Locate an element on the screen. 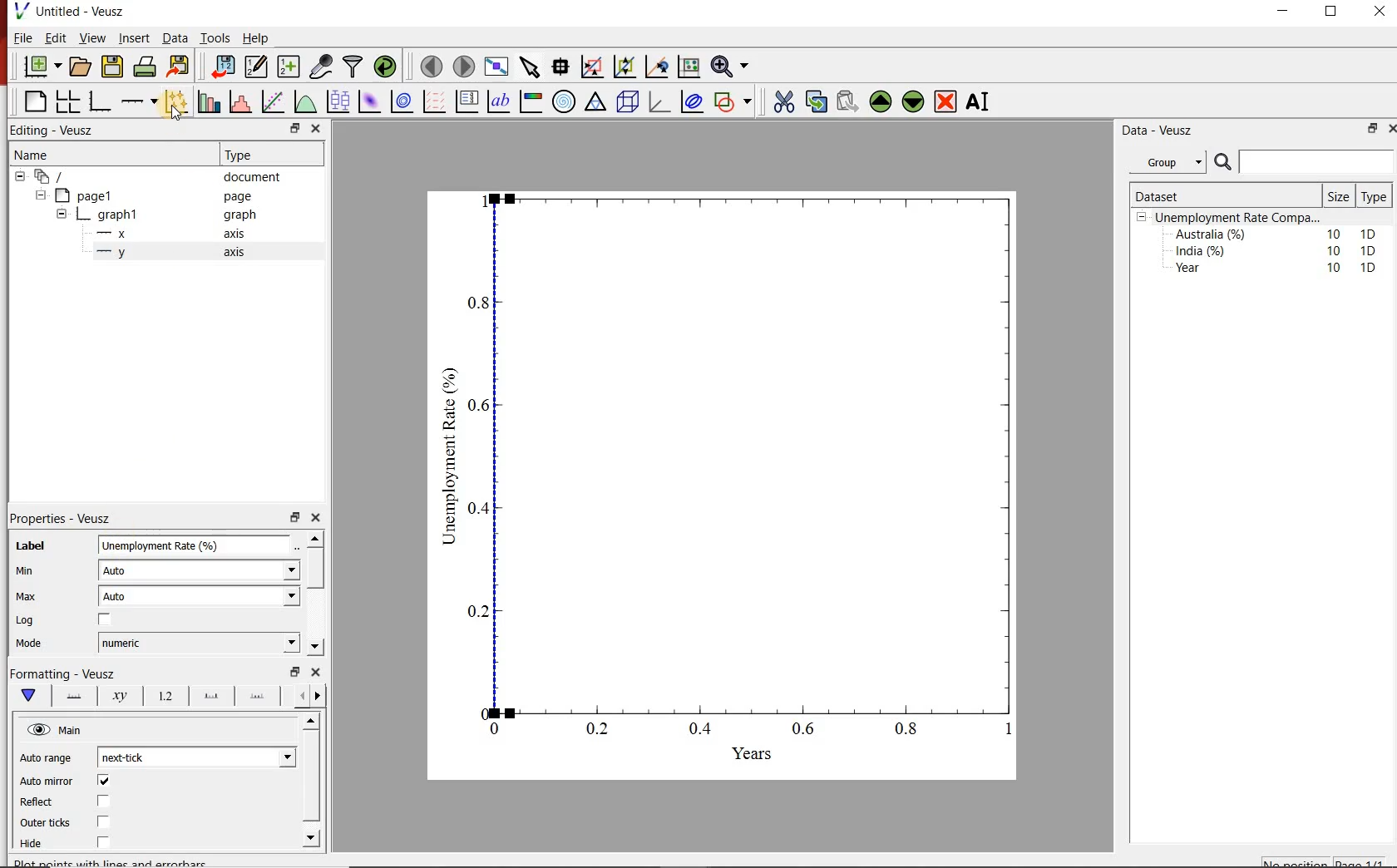  India (%) 10 1D is located at coordinates (1277, 250).